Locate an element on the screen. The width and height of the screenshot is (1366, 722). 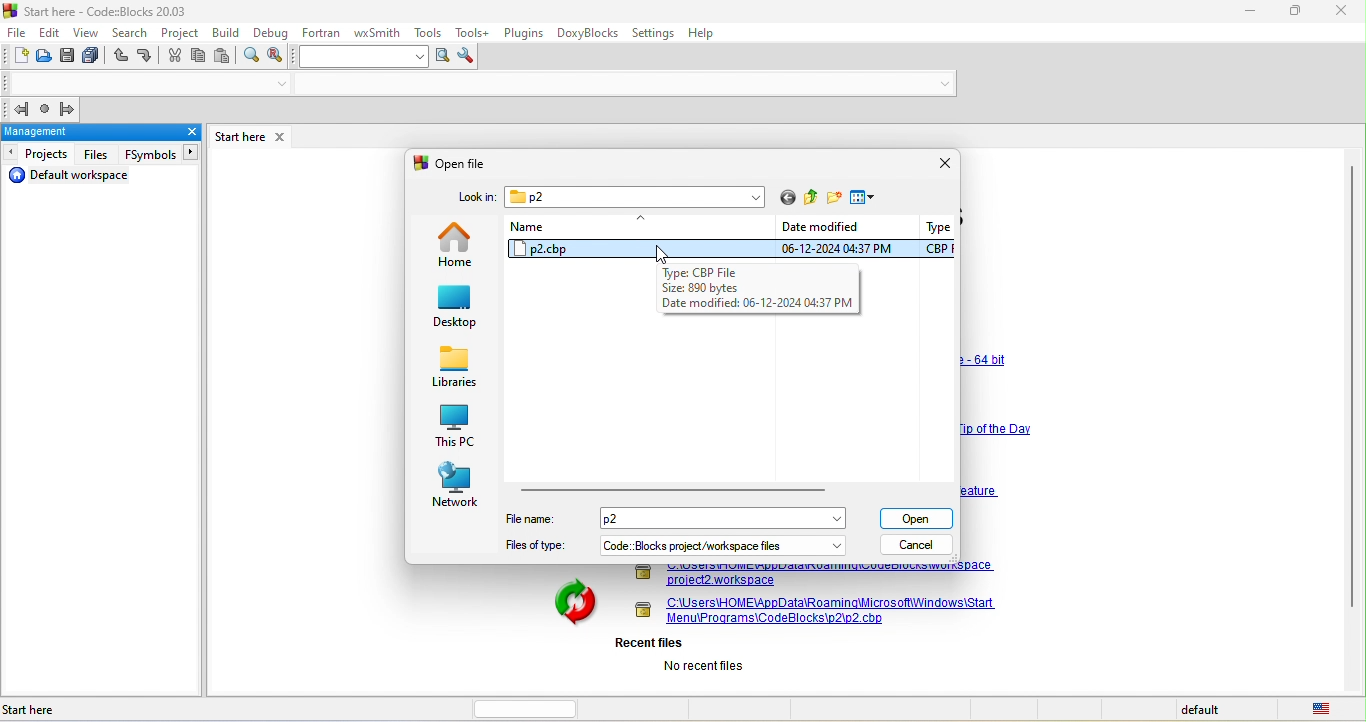
cut is located at coordinates (174, 59).